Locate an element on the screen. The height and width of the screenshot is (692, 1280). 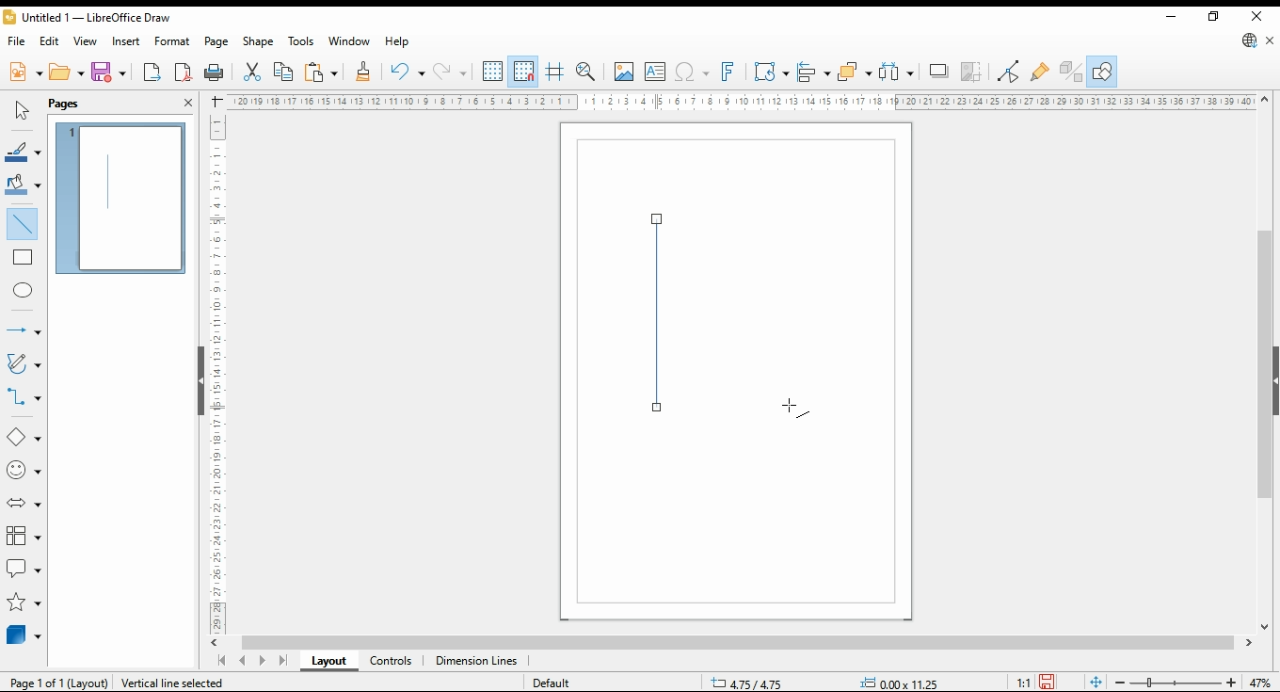
next page is located at coordinates (266, 661).